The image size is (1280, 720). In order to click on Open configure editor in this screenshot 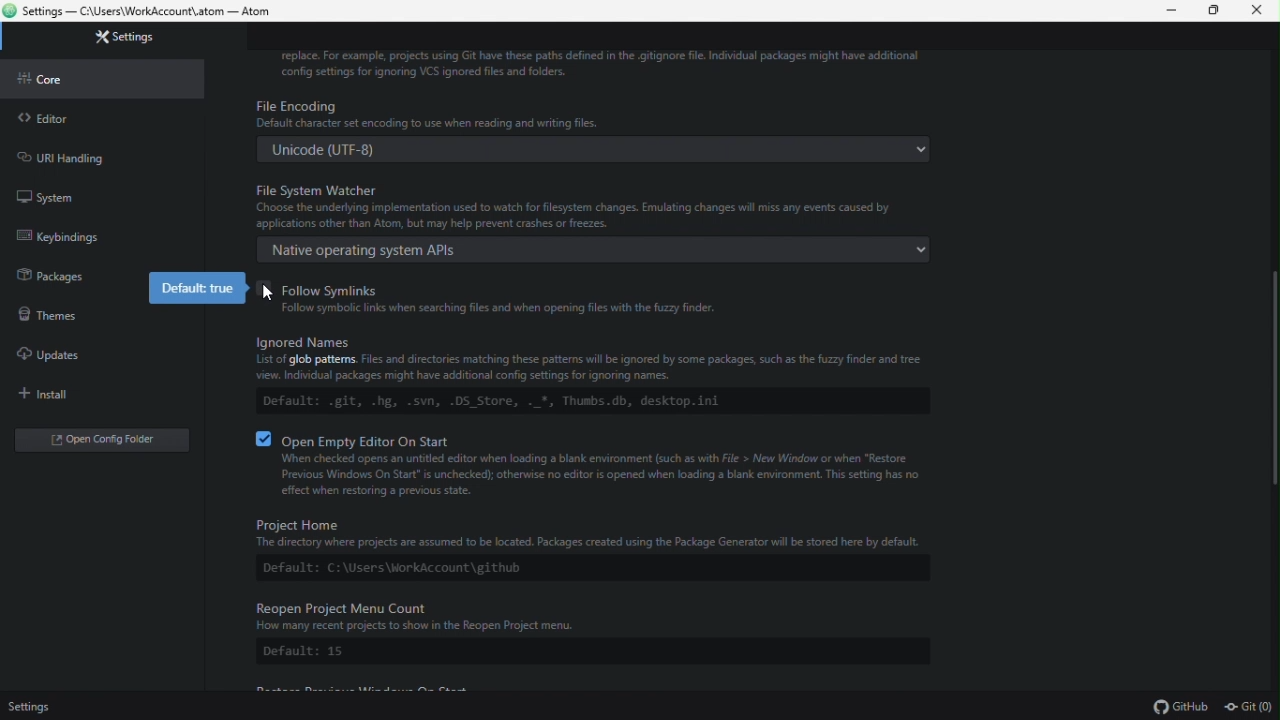, I will do `click(107, 442)`.